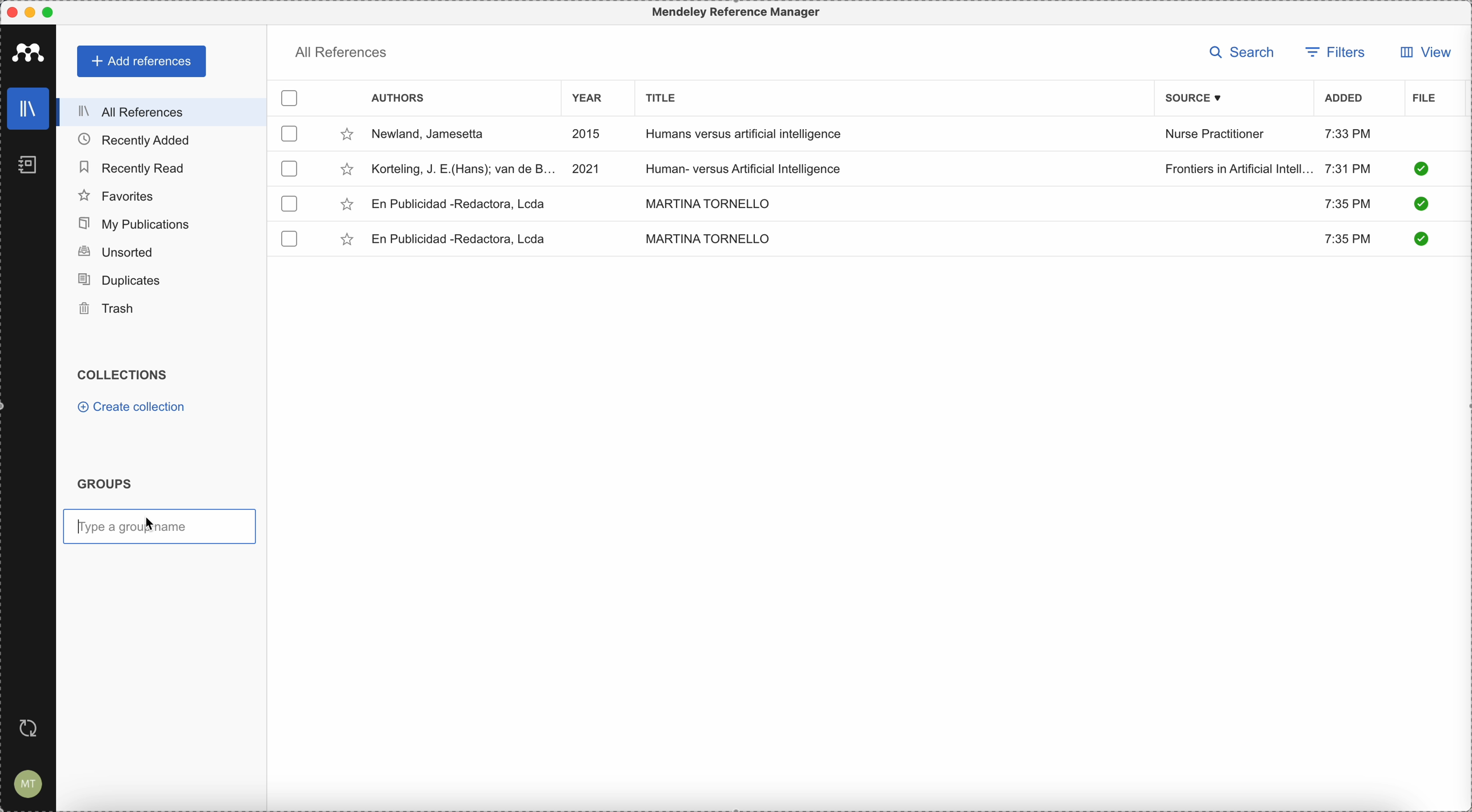 This screenshot has width=1472, height=812. I want to click on checkbox, so click(287, 168).